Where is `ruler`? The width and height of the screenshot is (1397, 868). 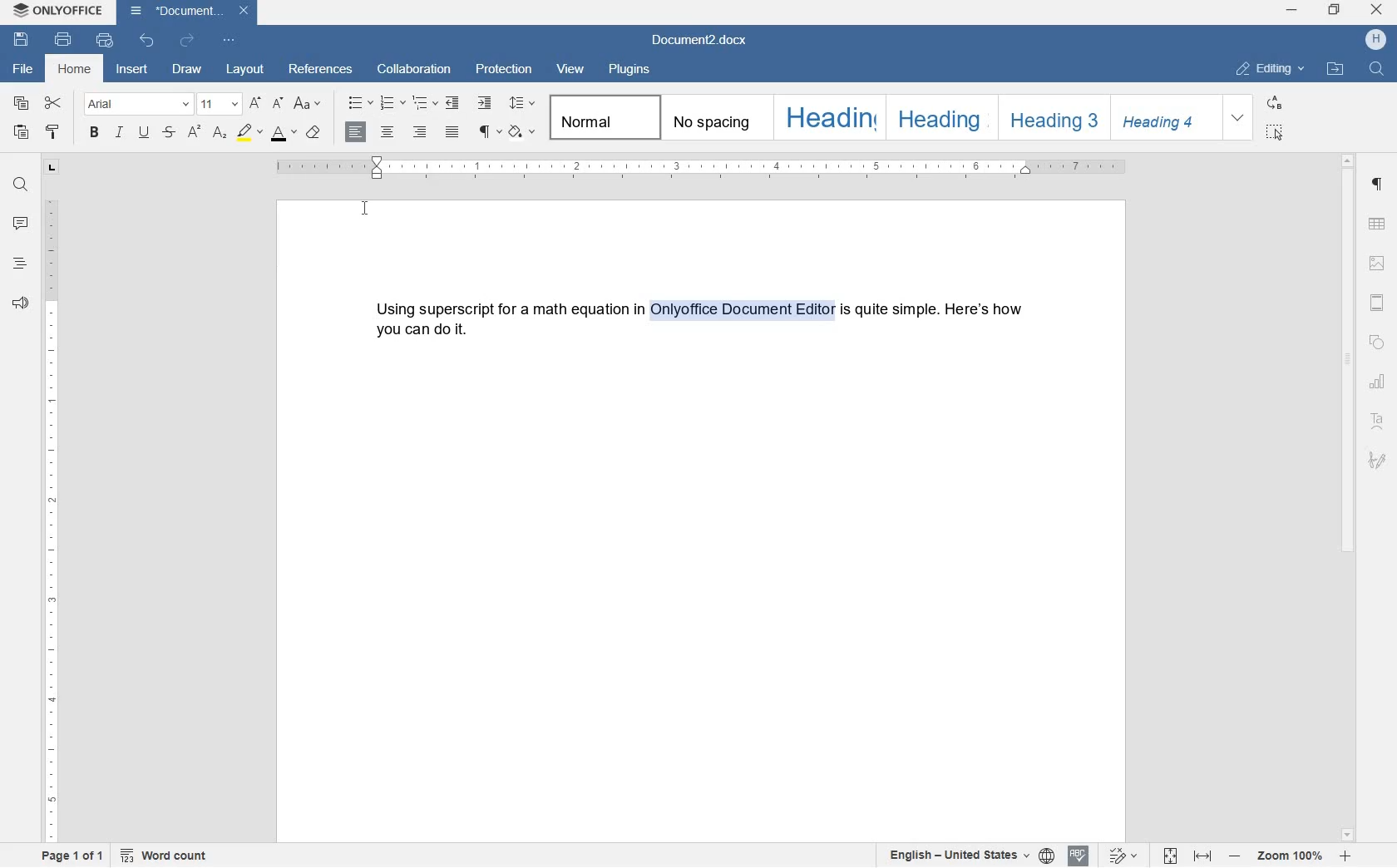
ruler is located at coordinates (703, 167).